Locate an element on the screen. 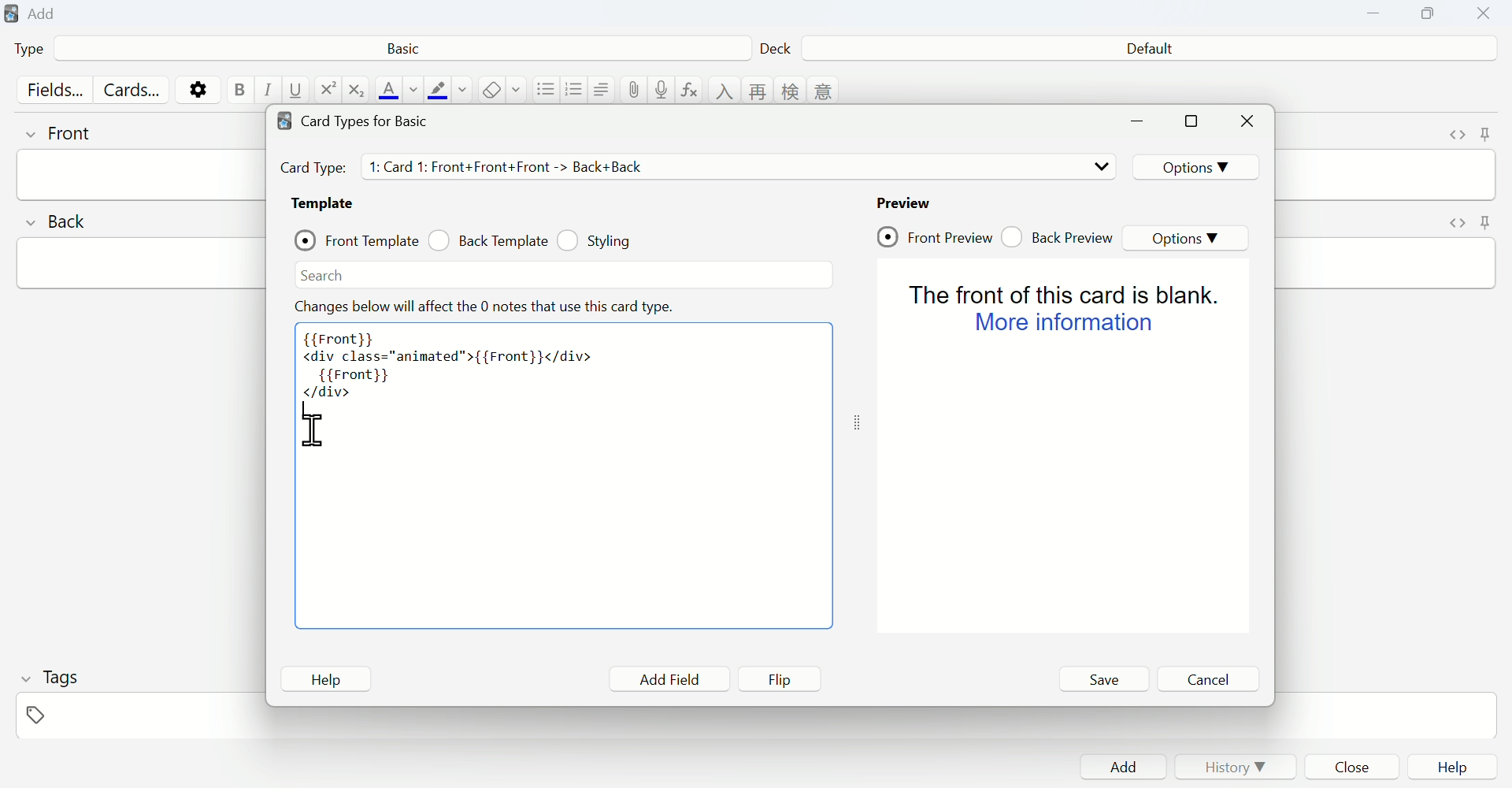 This screenshot has height=788, width=1512. Cancel is located at coordinates (1209, 679).